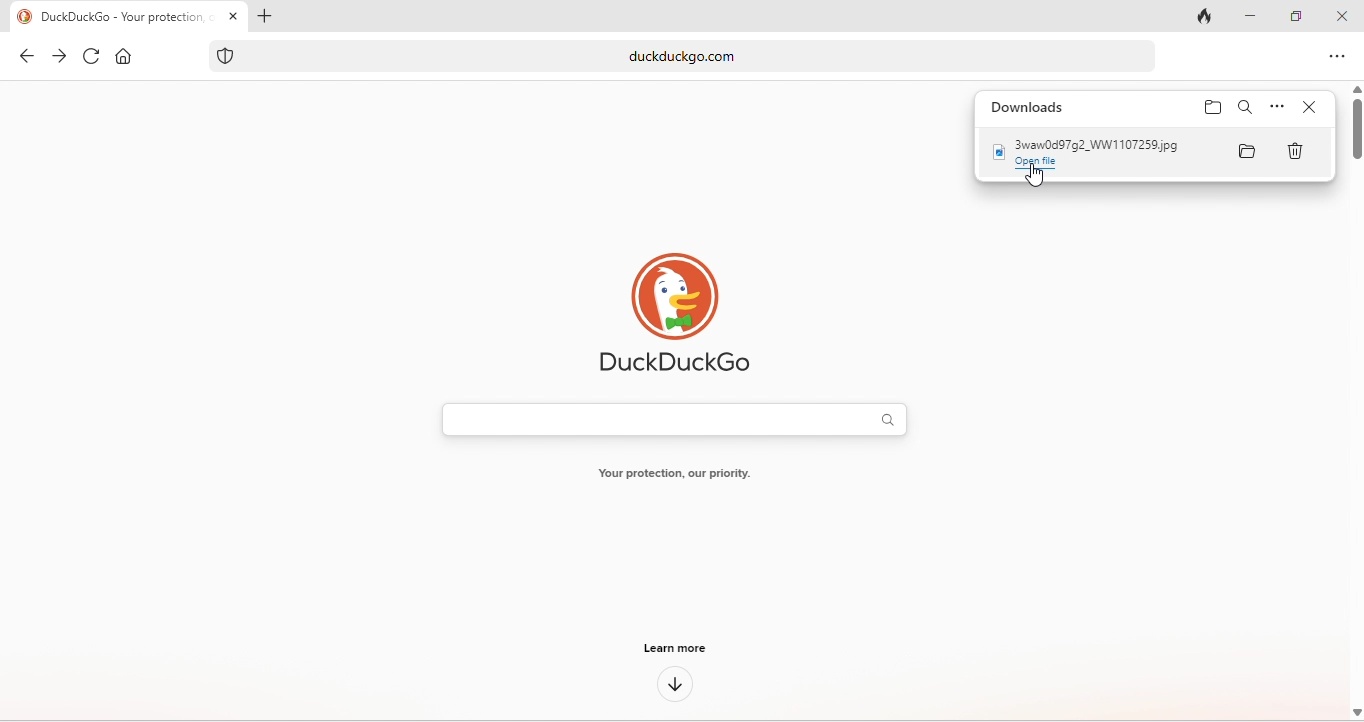  Describe the element at coordinates (1035, 179) in the screenshot. I see `cursor movement` at that location.